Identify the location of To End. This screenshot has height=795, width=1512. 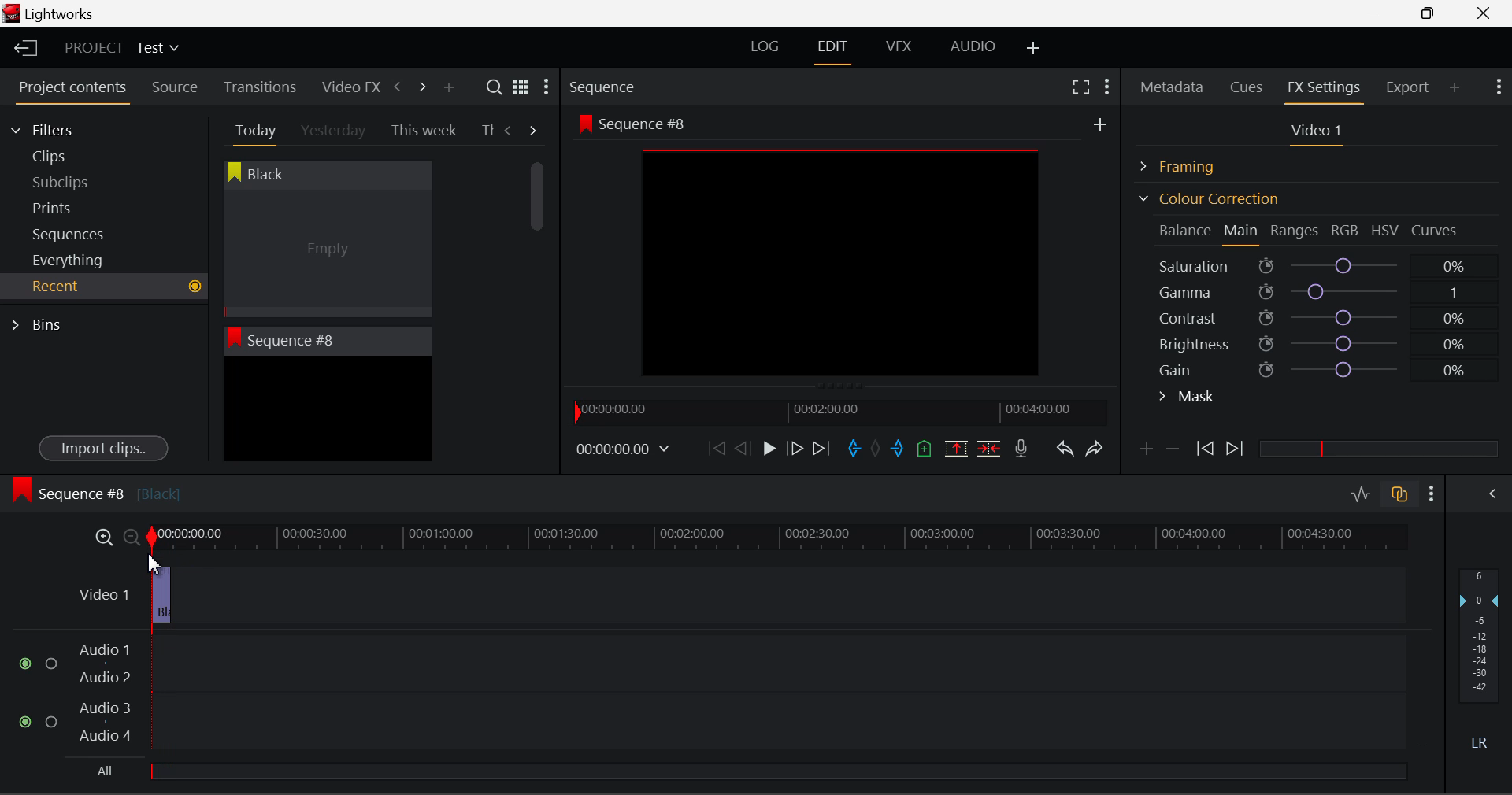
(821, 449).